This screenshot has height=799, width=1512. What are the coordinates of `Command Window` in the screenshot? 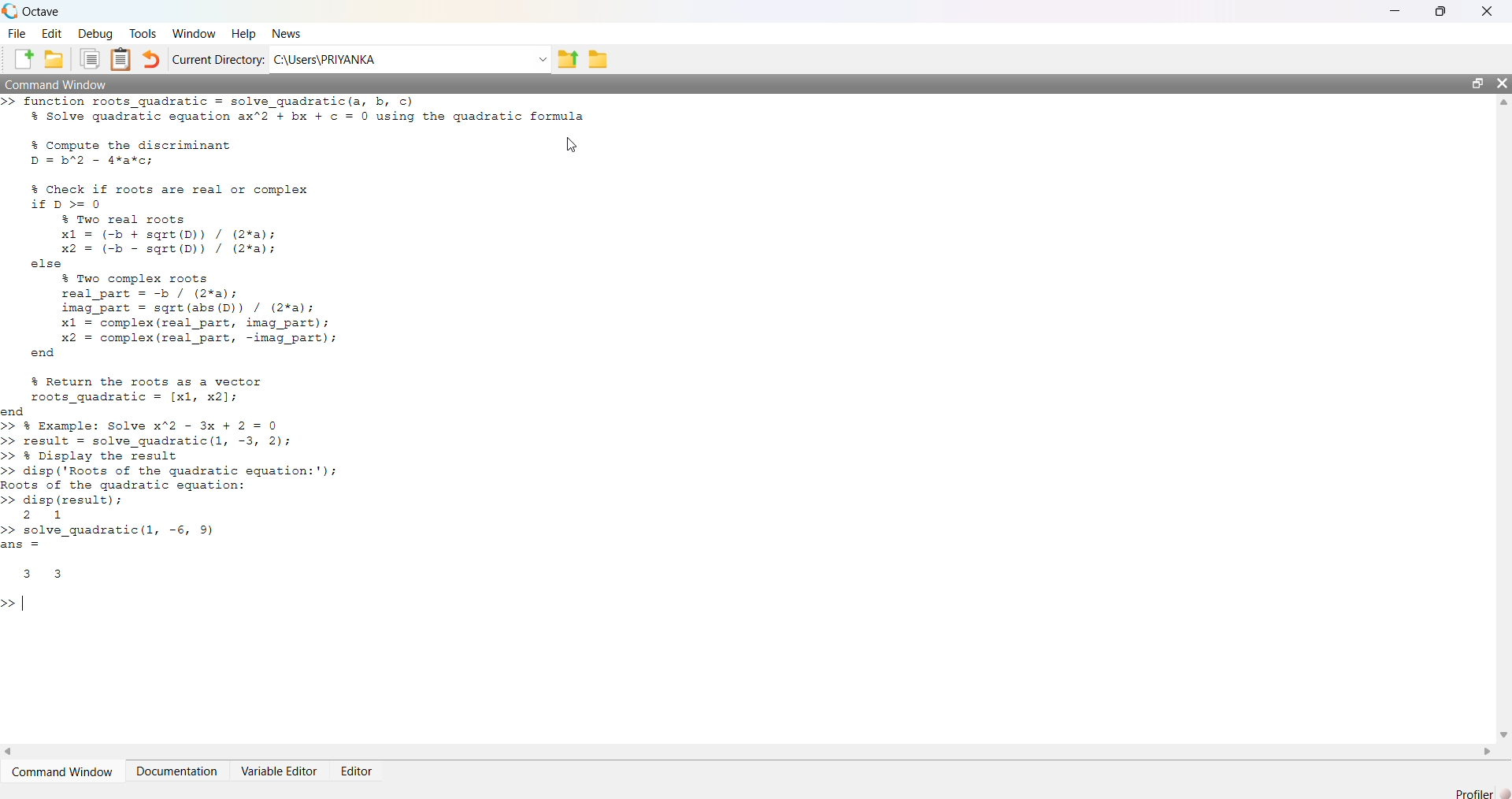 It's located at (65, 771).